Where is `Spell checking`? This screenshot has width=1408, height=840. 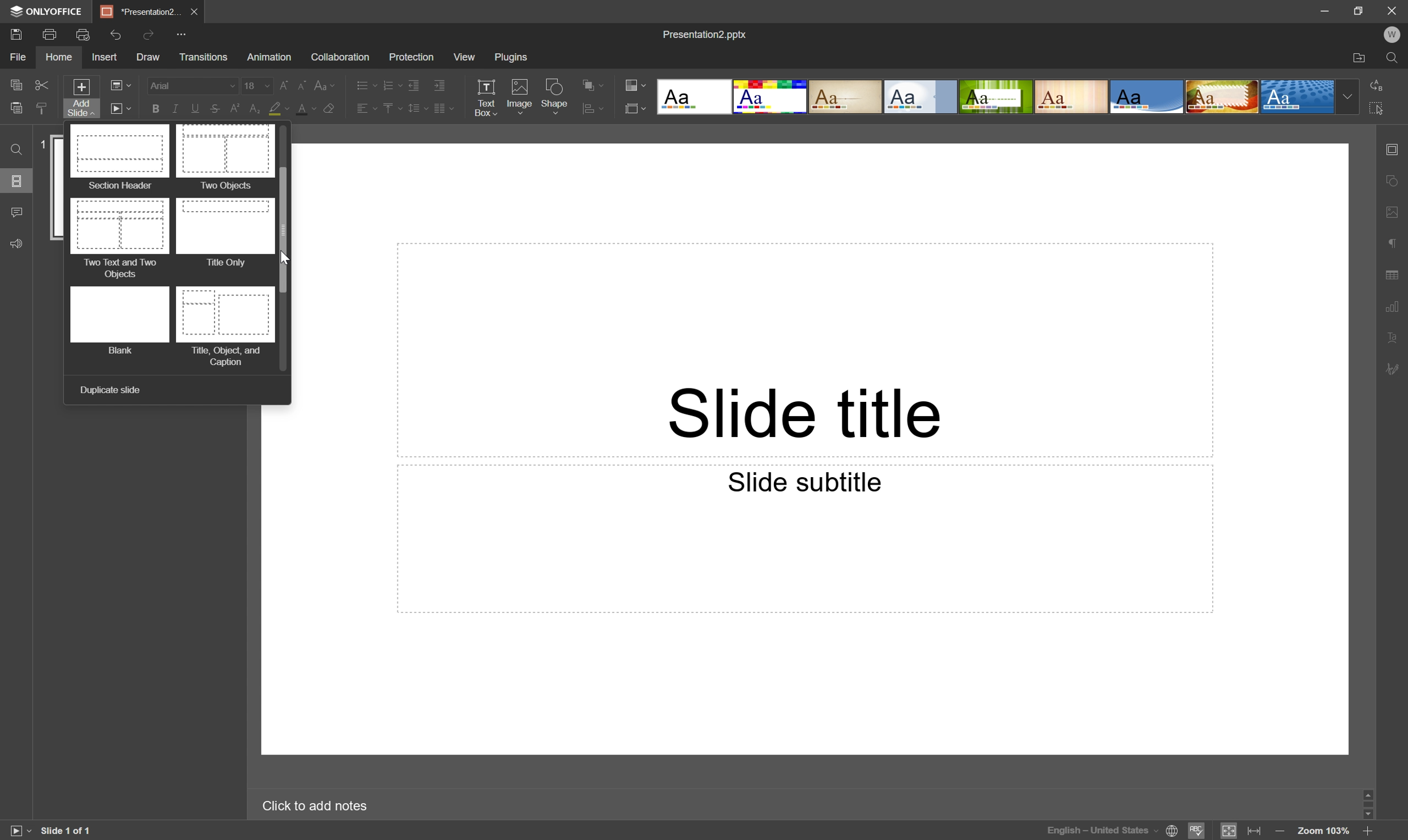 Spell checking is located at coordinates (1198, 830).